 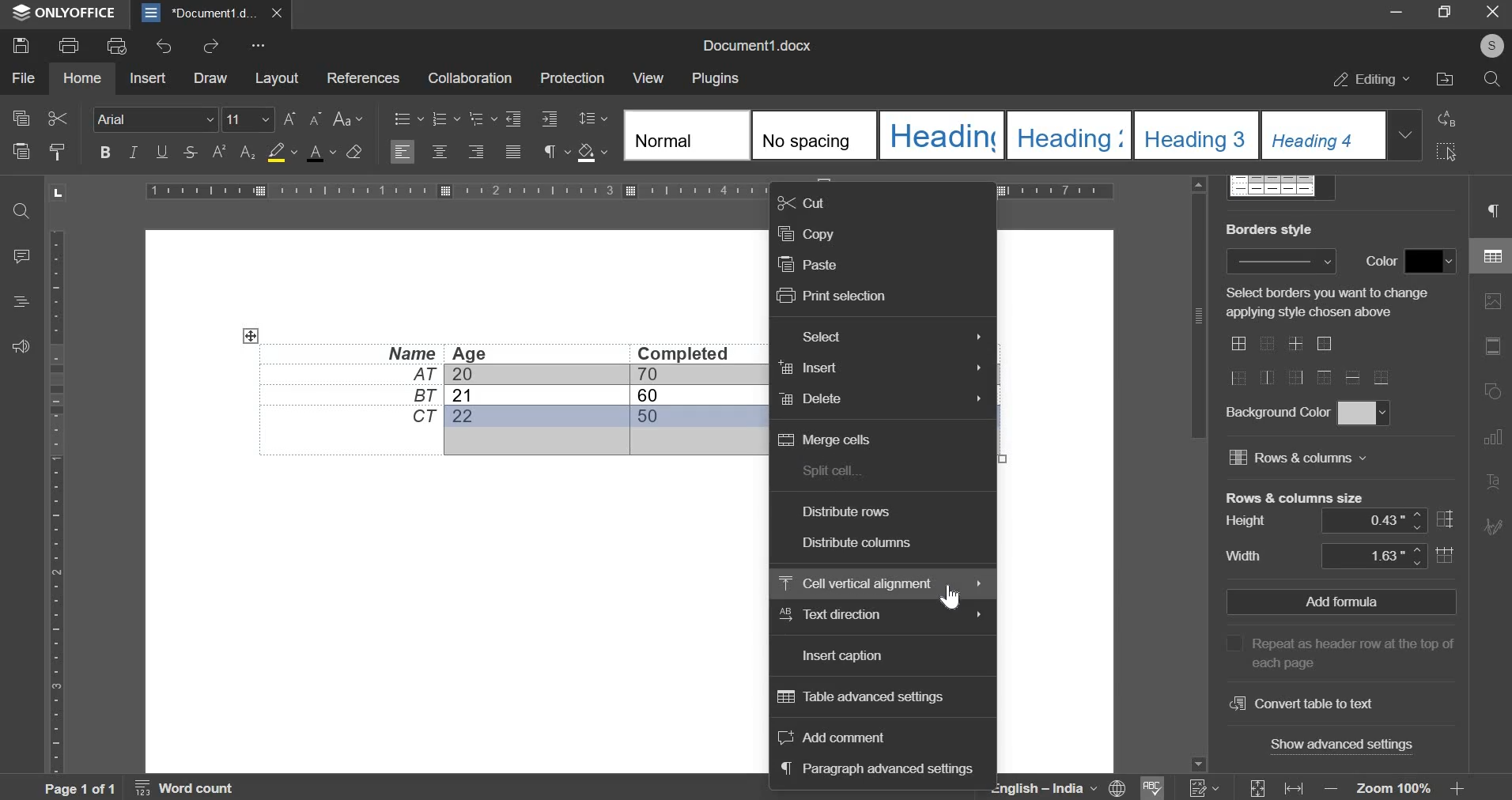 I want to click on split cells, so click(x=831, y=470).